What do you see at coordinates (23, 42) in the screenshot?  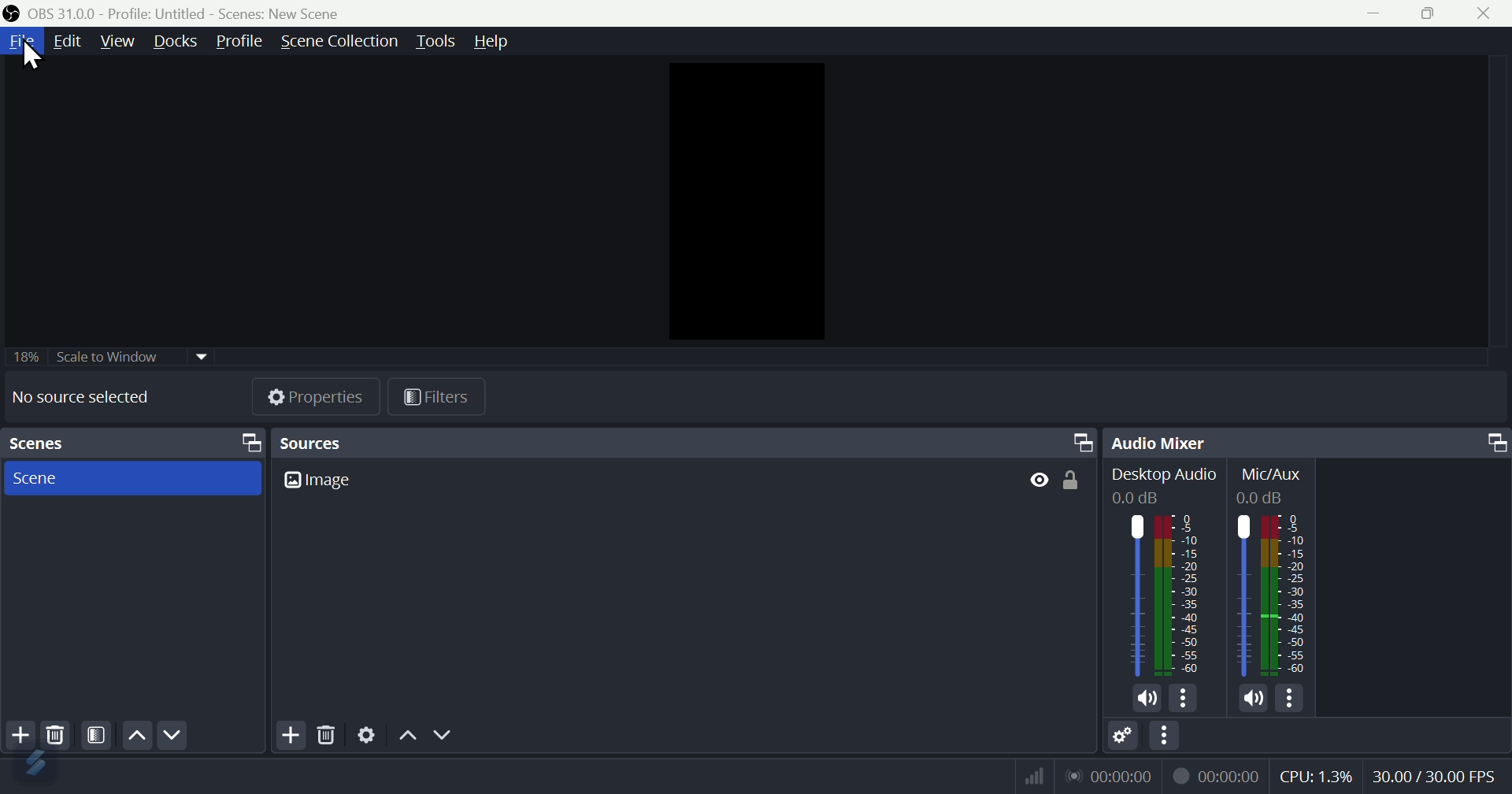 I see `file` at bounding box center [23, 42].